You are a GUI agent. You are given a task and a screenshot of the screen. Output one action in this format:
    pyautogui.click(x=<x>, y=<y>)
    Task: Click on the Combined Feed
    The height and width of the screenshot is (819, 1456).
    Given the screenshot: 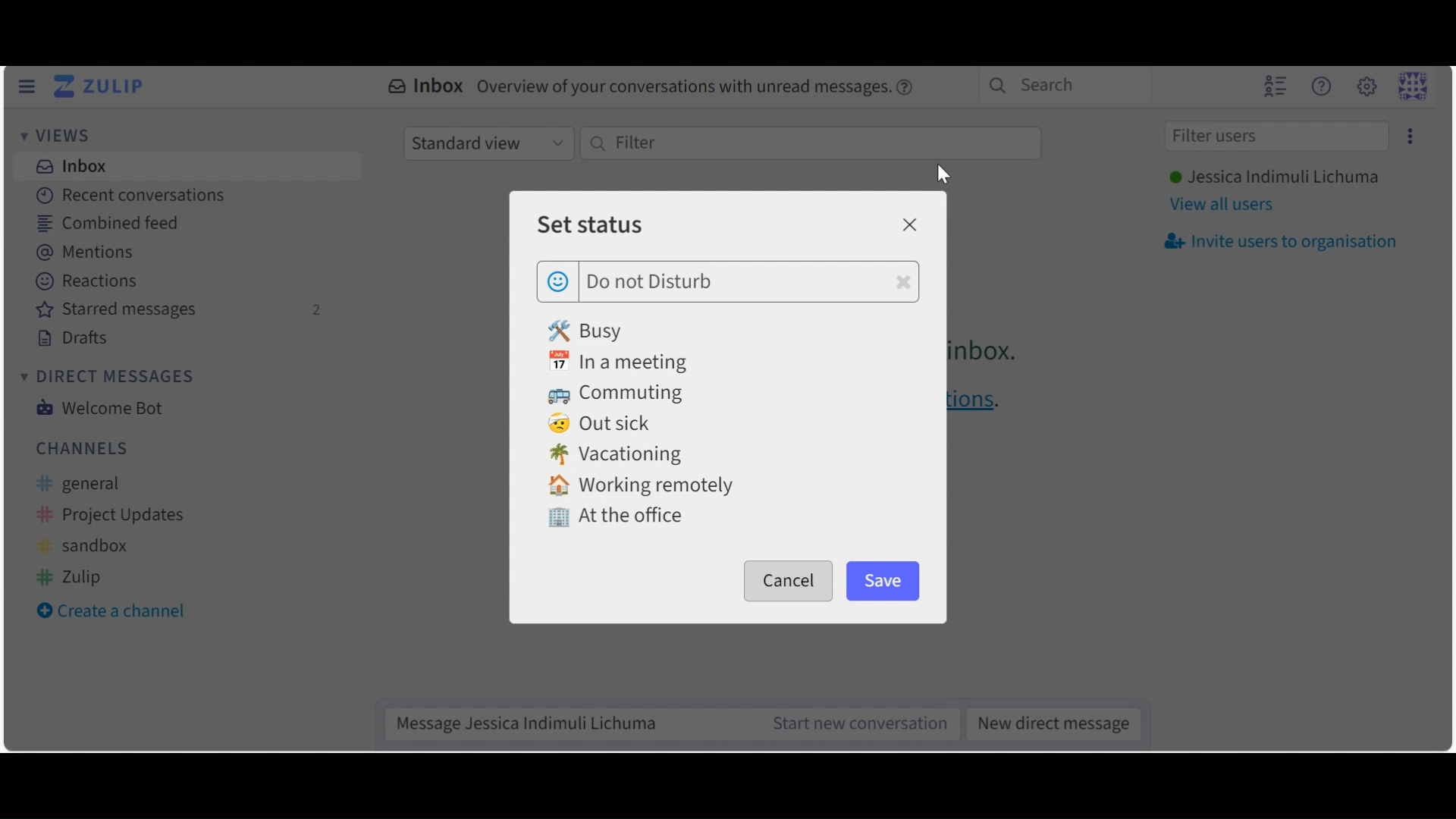 What is the action you would take?
    pyautogui.click(x=108, y=224)
    